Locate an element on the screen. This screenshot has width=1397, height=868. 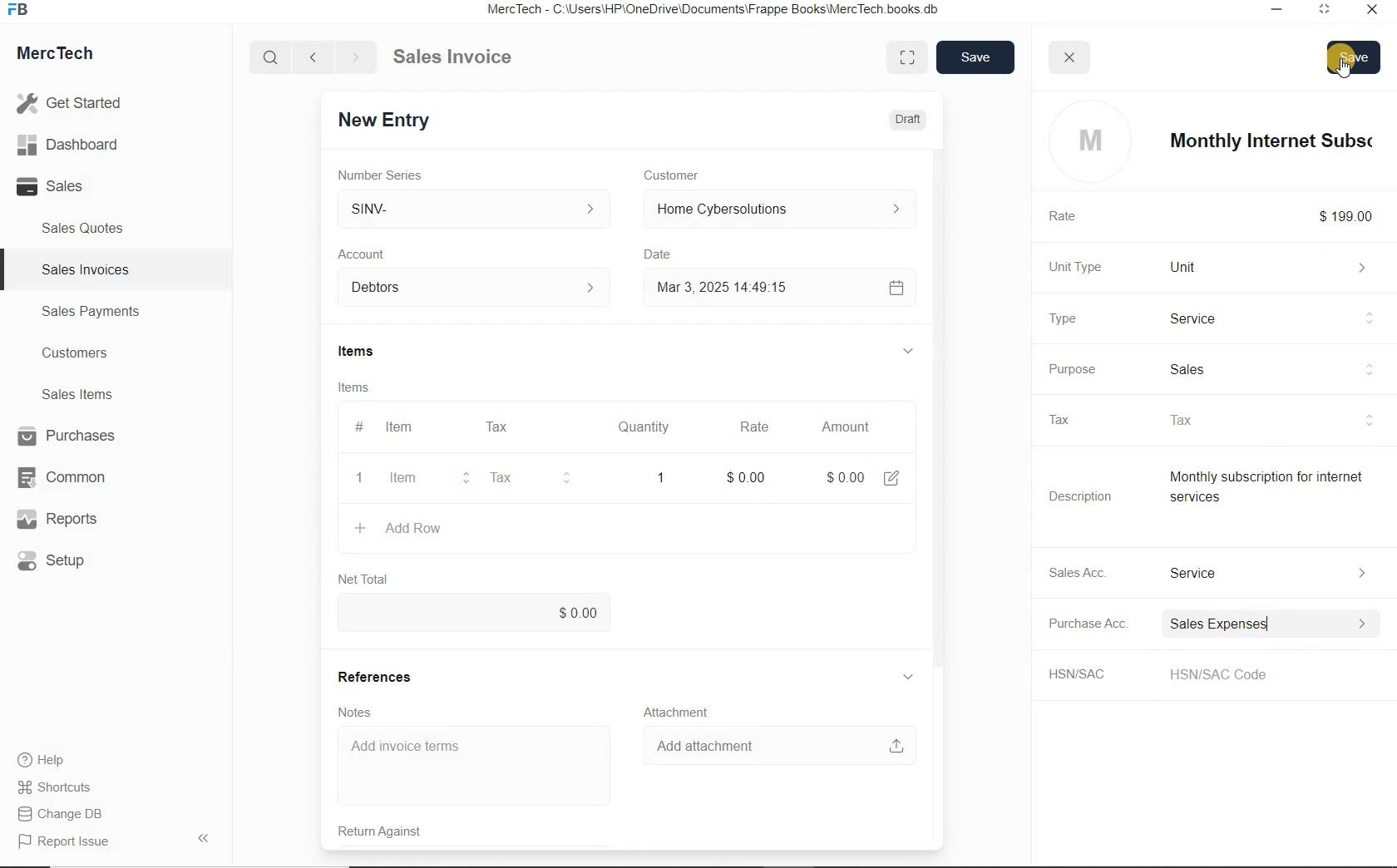
Description is located at coordinates (1073, 496).